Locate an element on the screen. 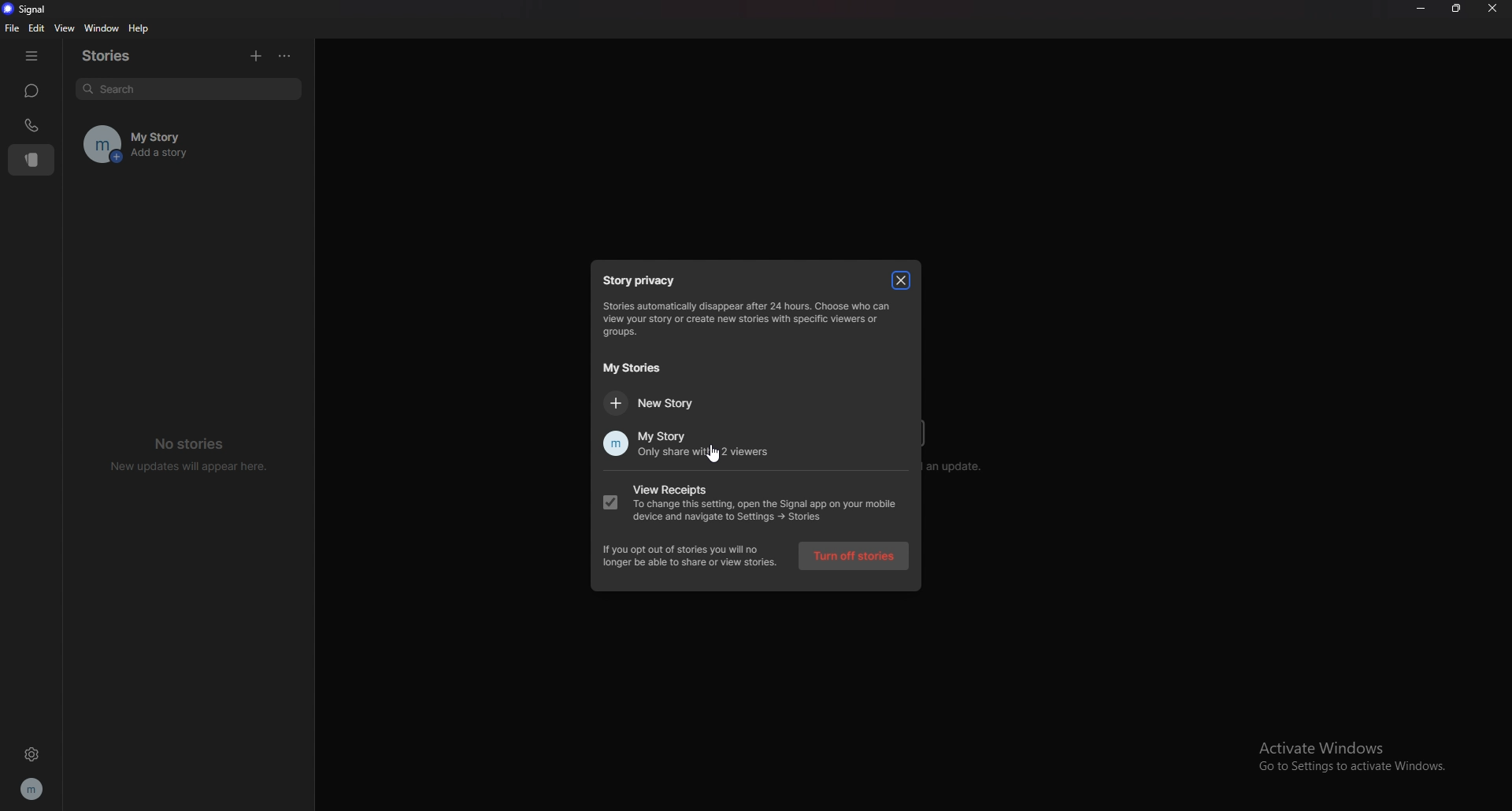 Image resolution: width=1512 pixels, height=811 pixels. resize is located at coordinates (1456, 9).